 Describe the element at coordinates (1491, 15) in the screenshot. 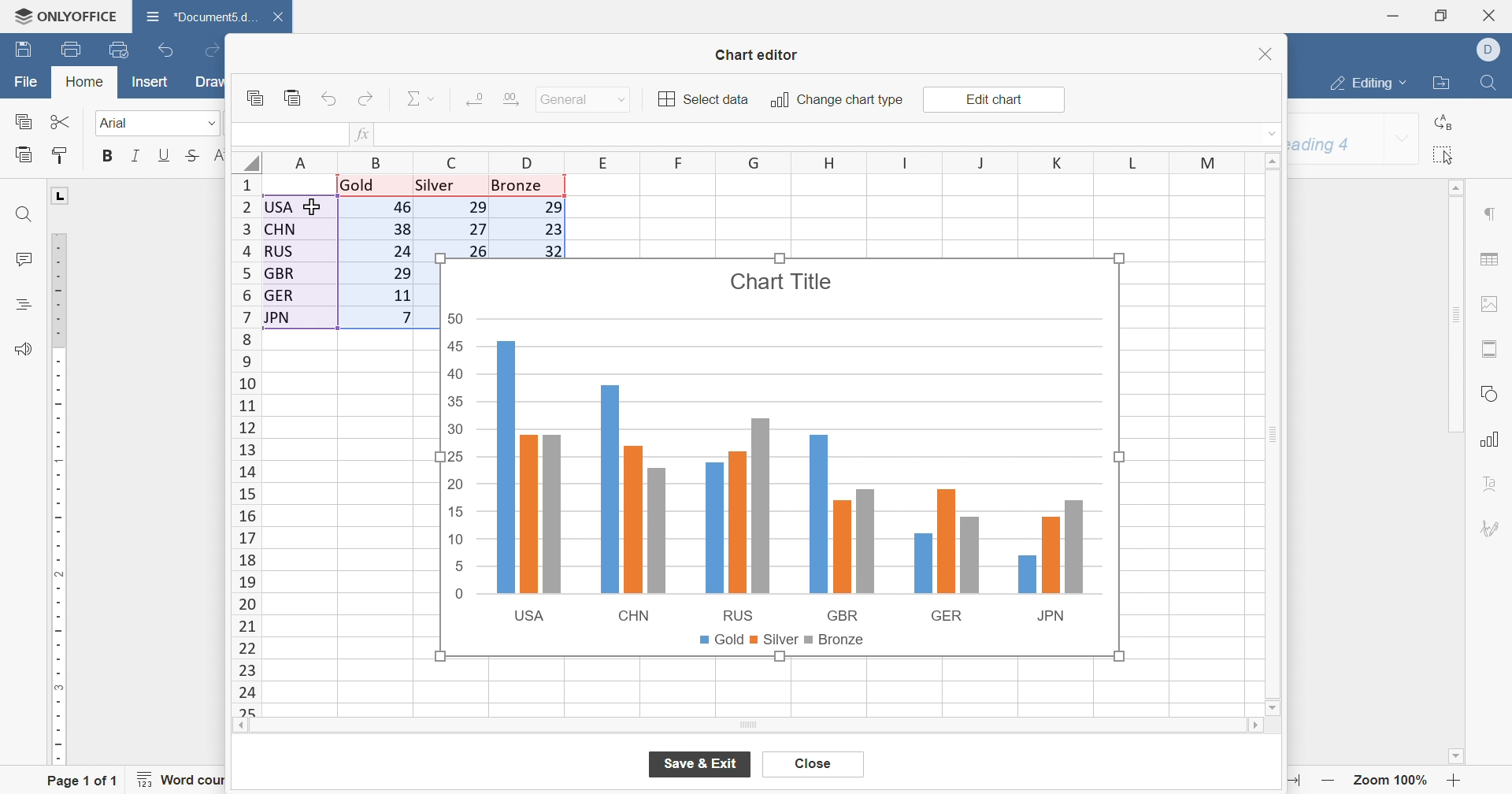

I see `close` at that location.